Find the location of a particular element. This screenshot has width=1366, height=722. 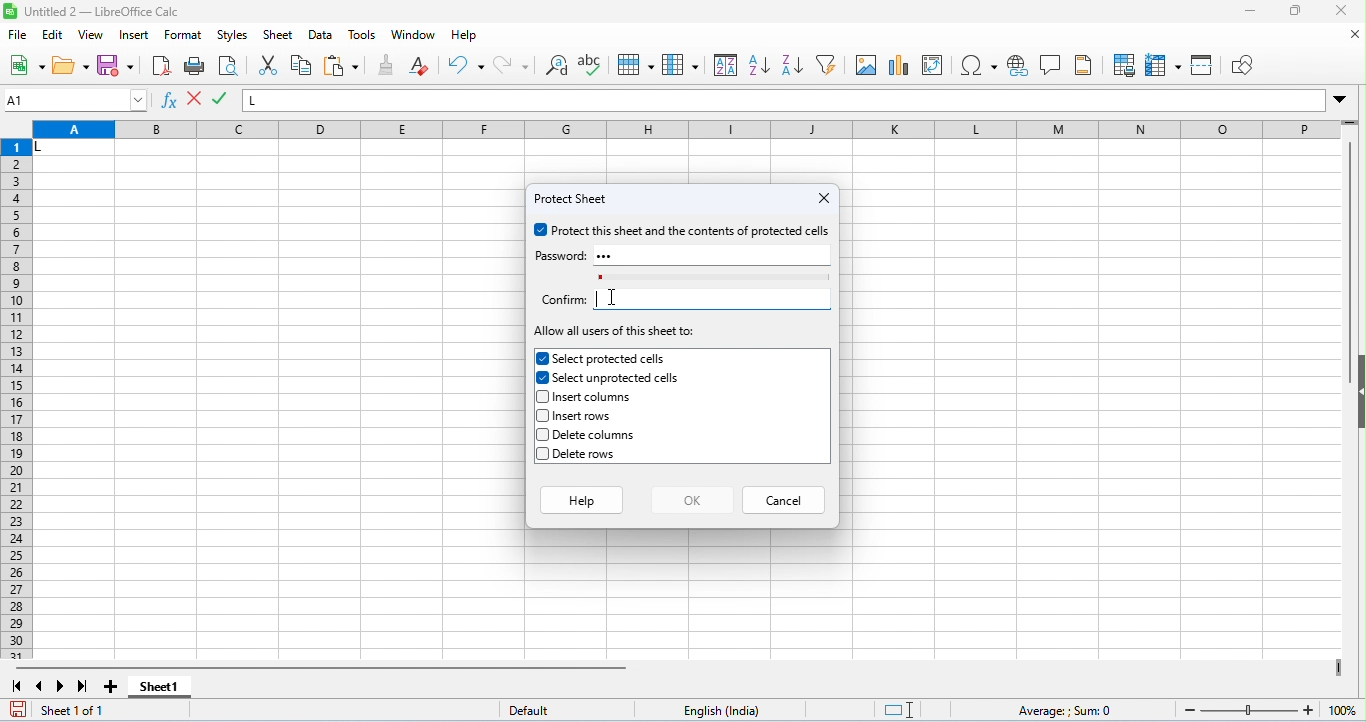

redo is located at coordinates (511, 65).